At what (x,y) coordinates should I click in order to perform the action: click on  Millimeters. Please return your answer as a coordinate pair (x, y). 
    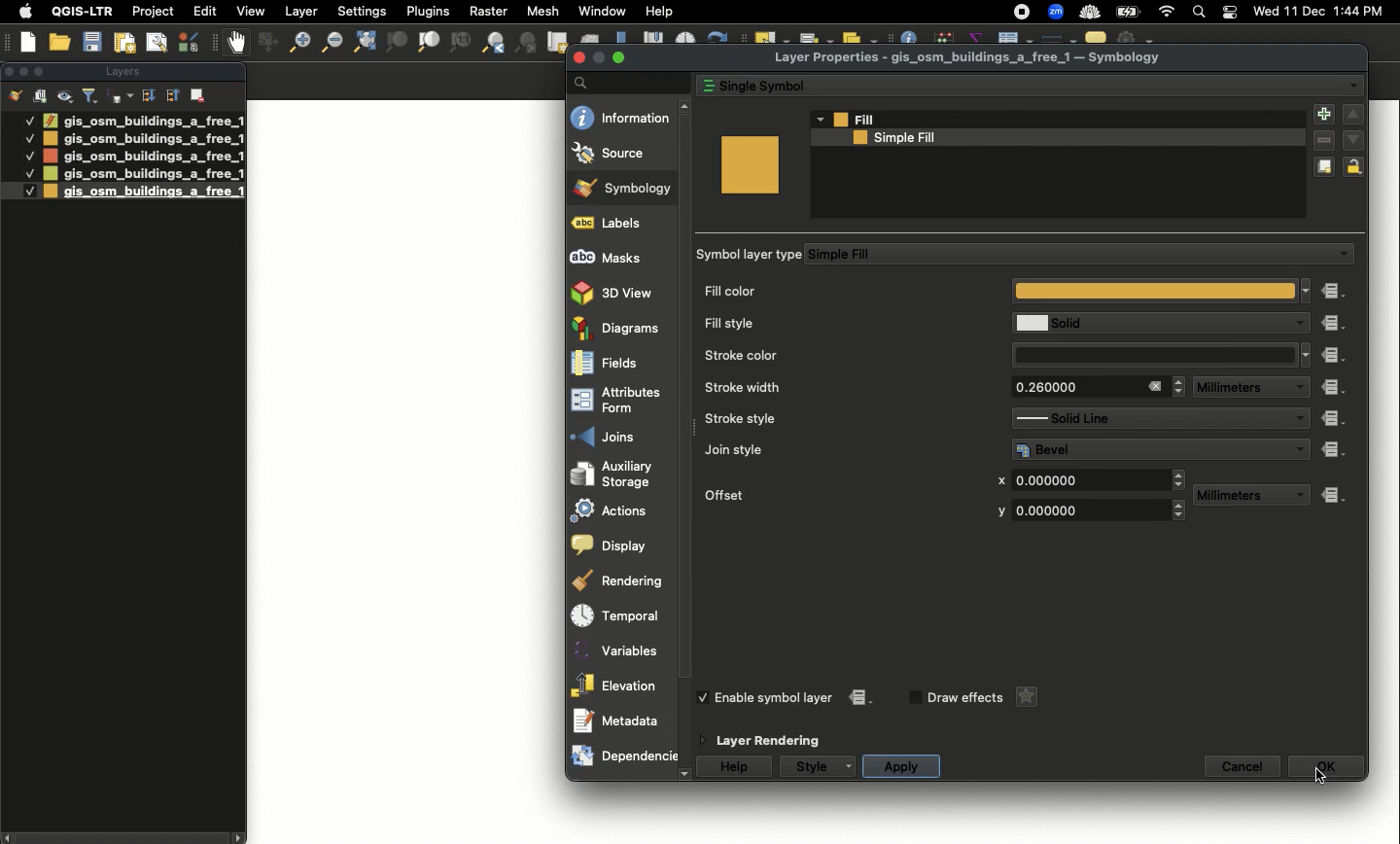
    Looking at the image, I should click on (1232, 388).